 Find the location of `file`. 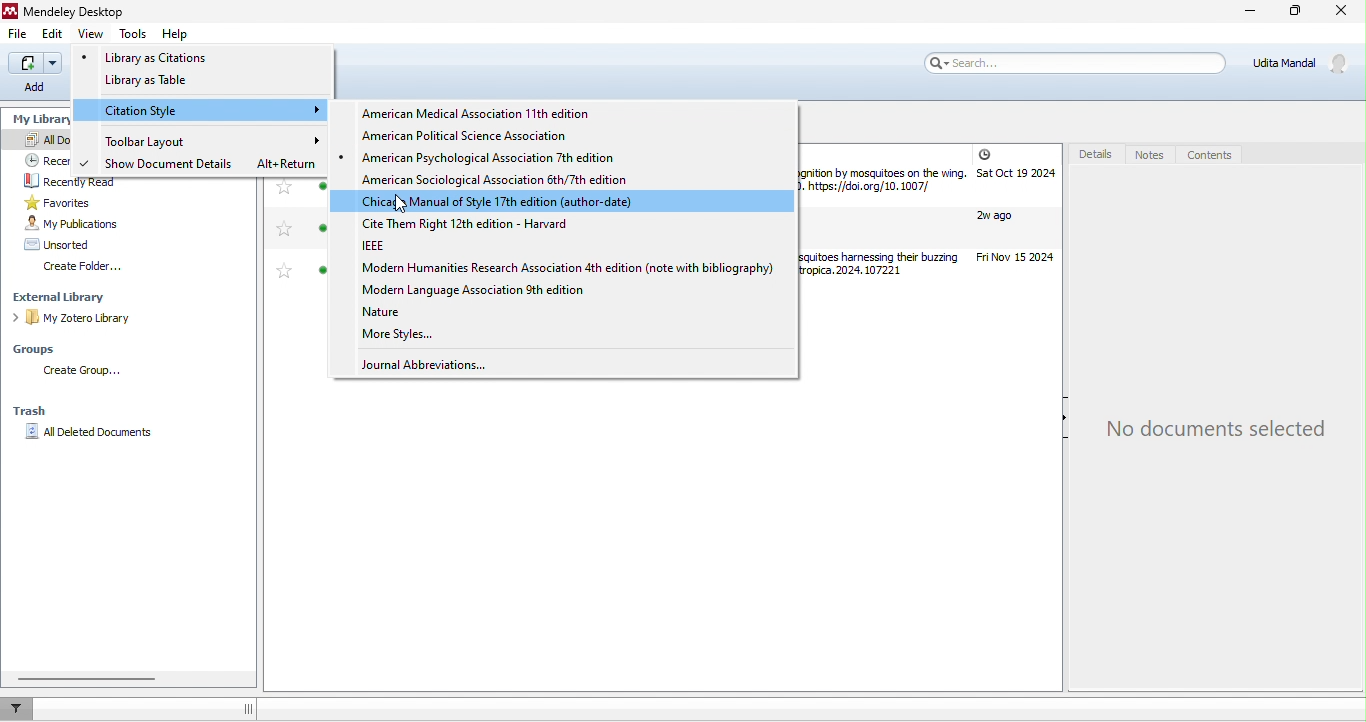

file is located at coordinates (22, 37).